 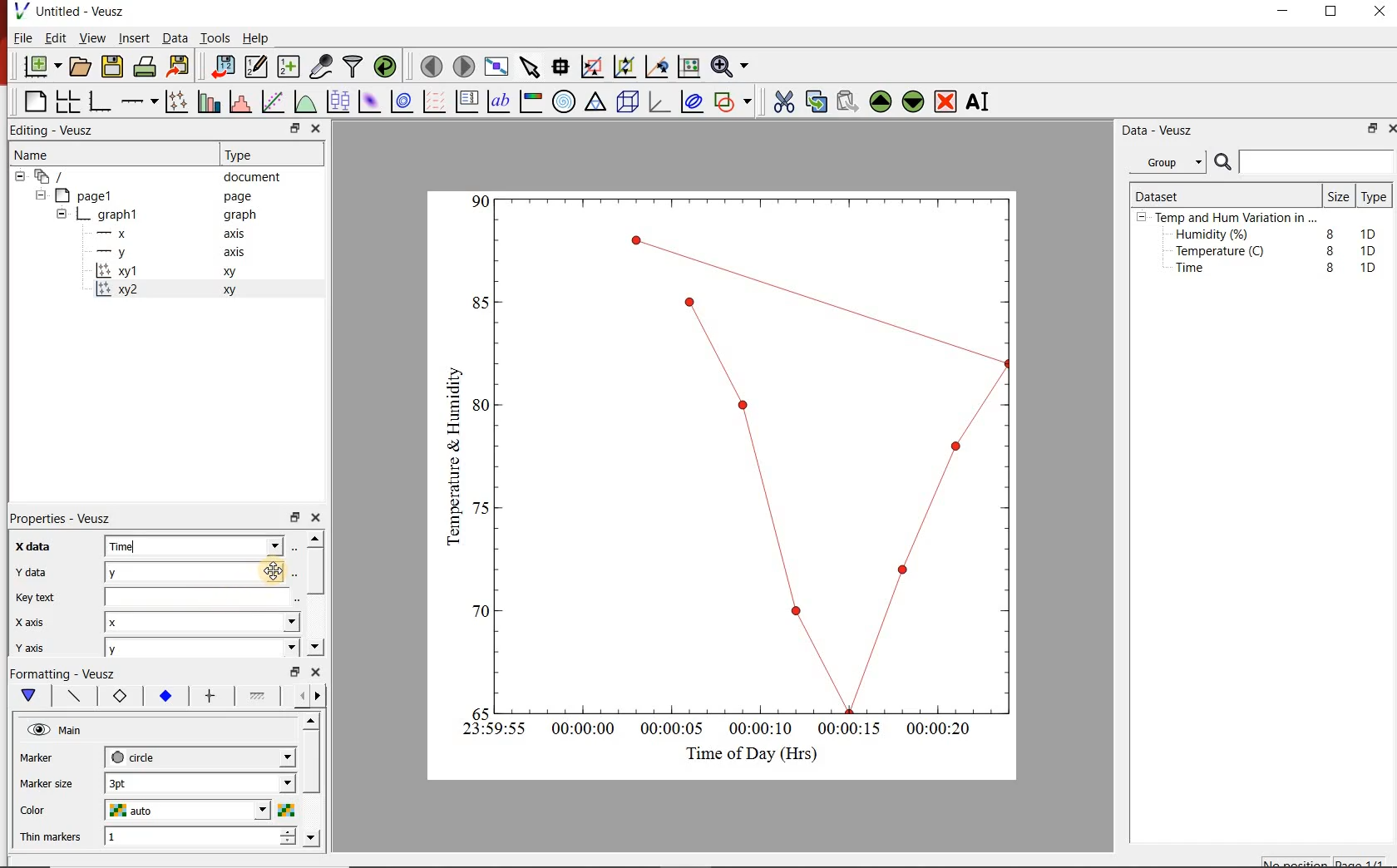 I want to click on y data, so click(x=37, y=570).